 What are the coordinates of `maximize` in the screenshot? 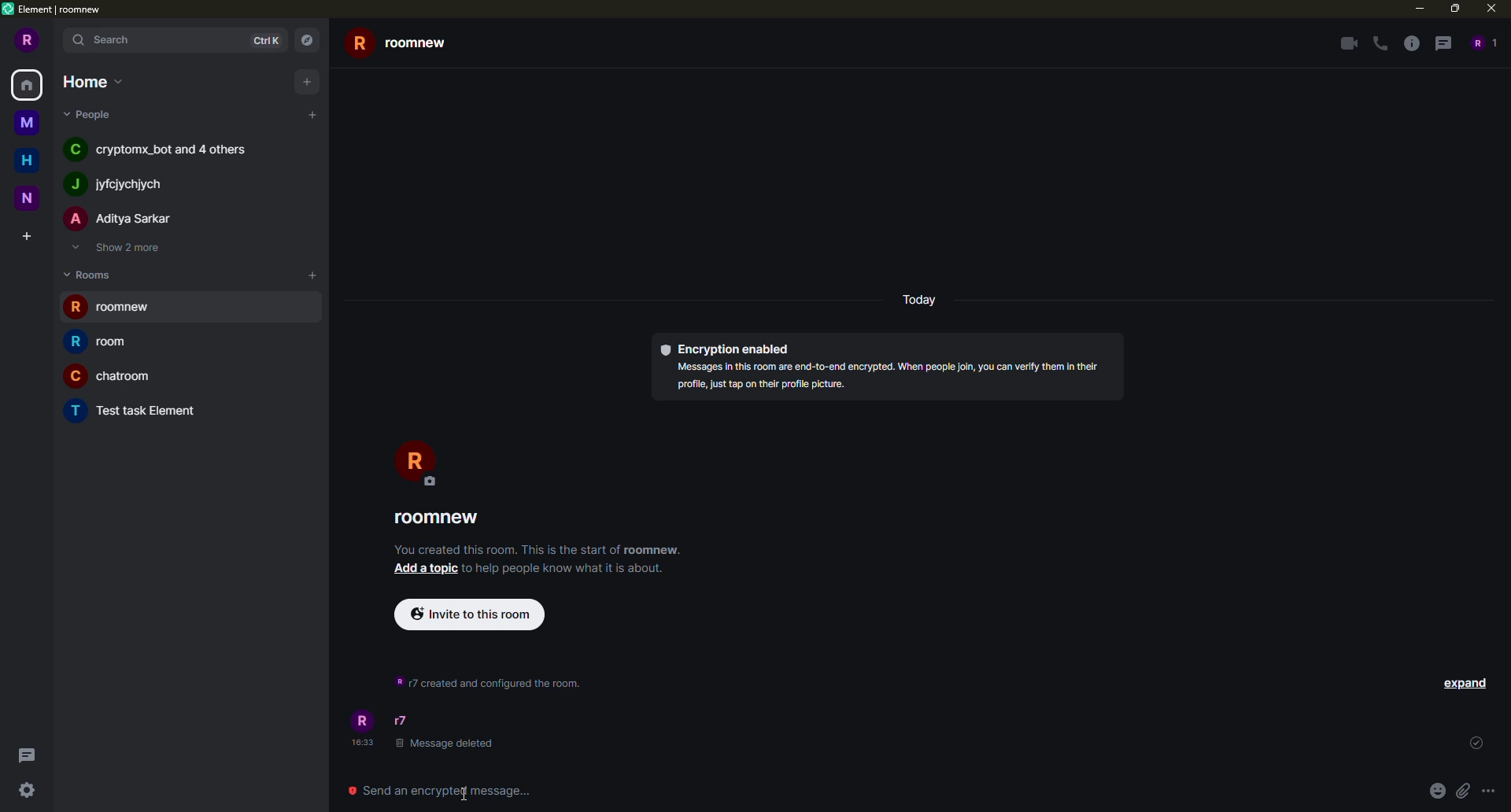 It's located at (1453, 9).